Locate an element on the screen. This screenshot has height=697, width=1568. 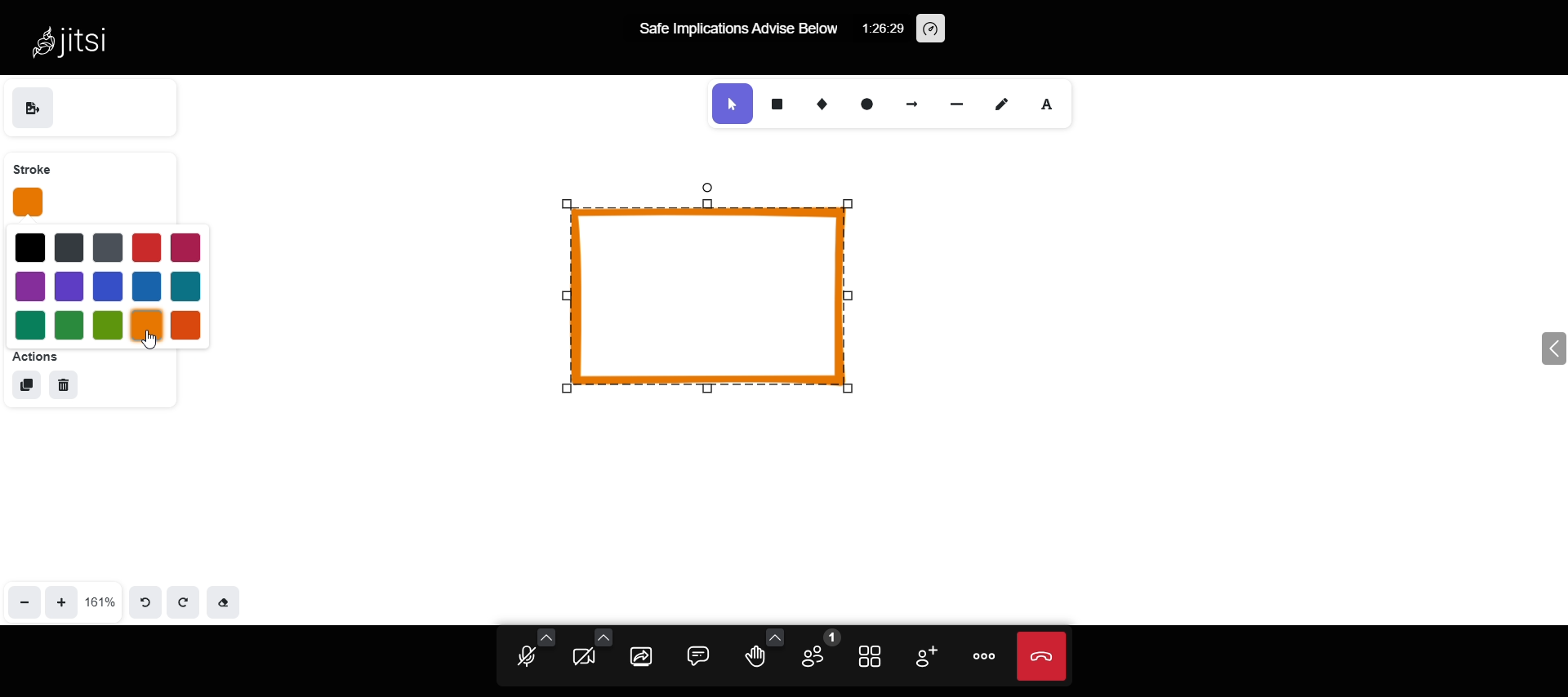
Safe Implications Advise Below is located at coordinates (734, 30).